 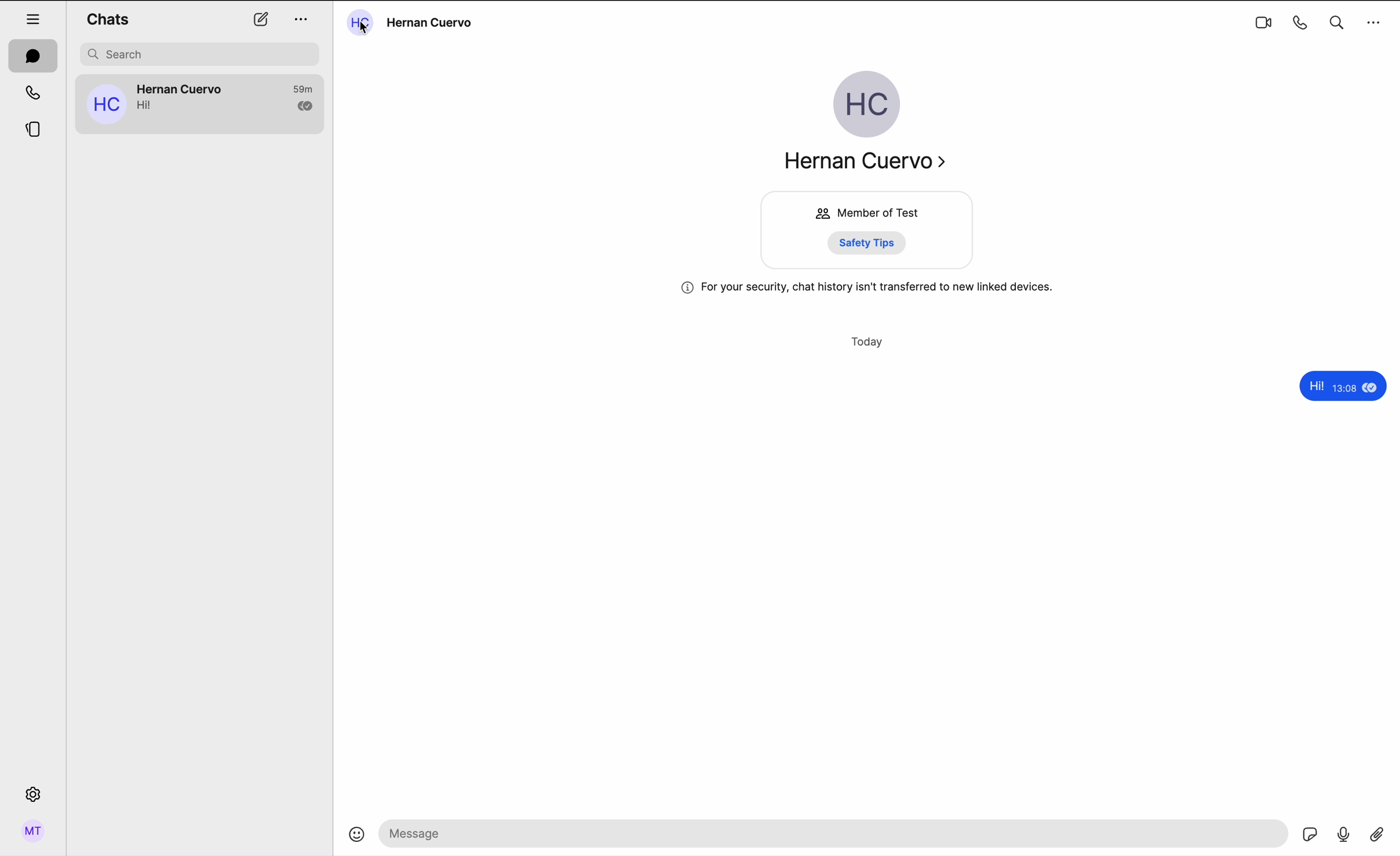 I want to click on member of Test group, so click(x=865, y=230).